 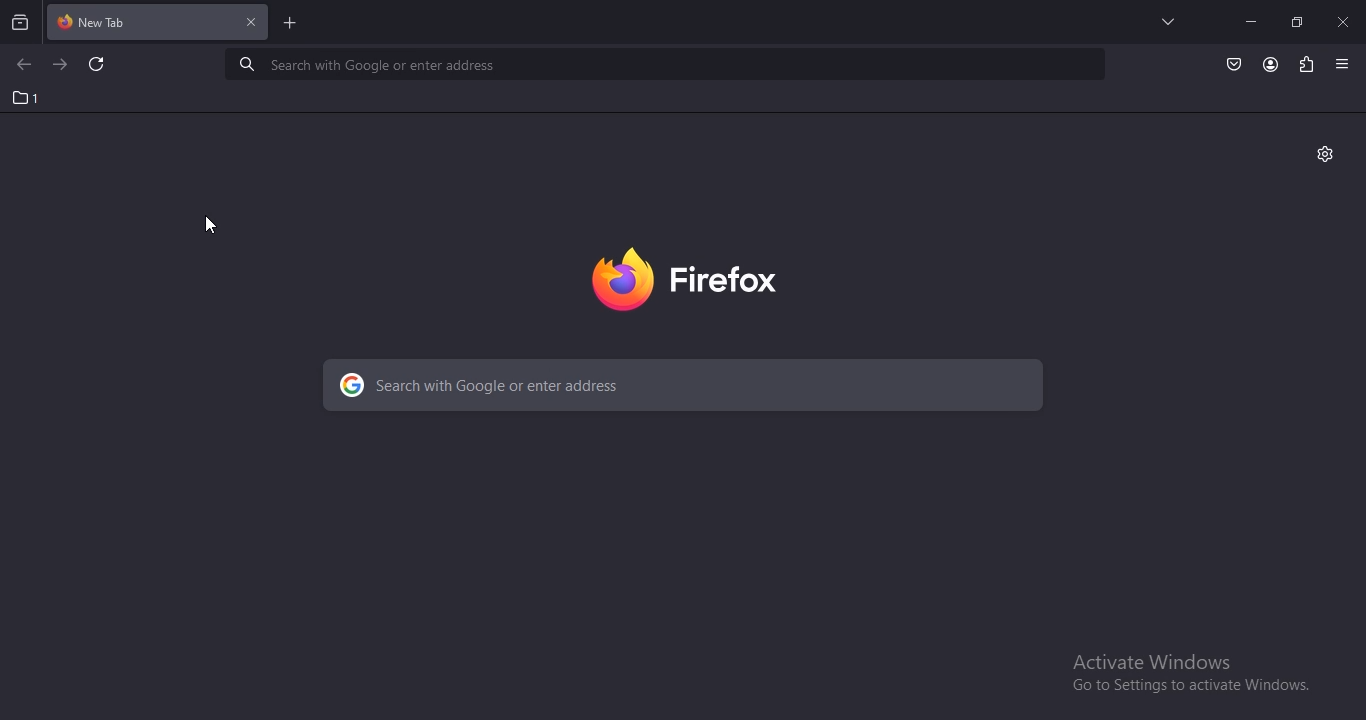 I want to click on extensions, so click(x=1304, y=63).